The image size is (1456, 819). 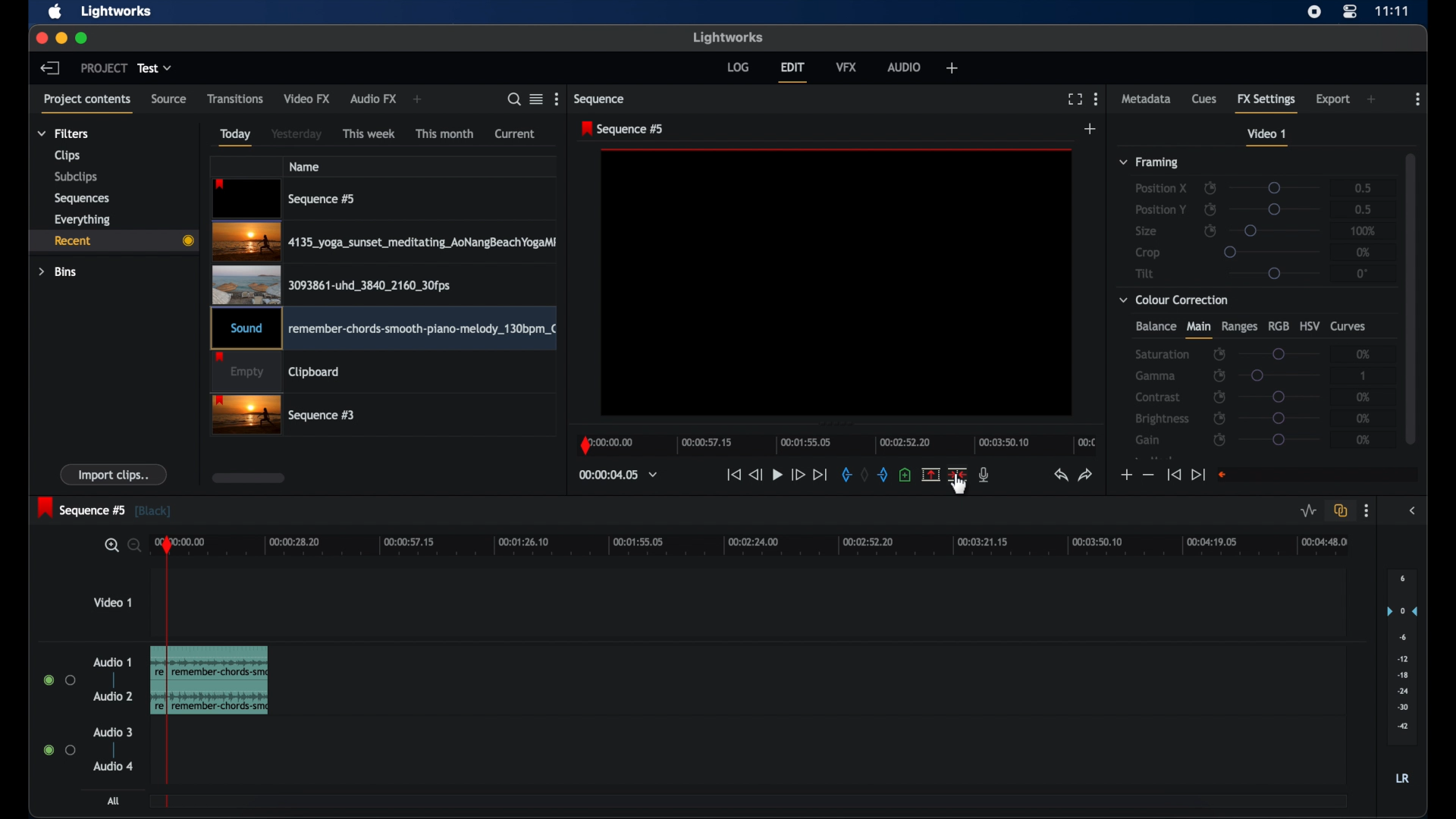 I want to click on cues, so click(x=1204, y=98).